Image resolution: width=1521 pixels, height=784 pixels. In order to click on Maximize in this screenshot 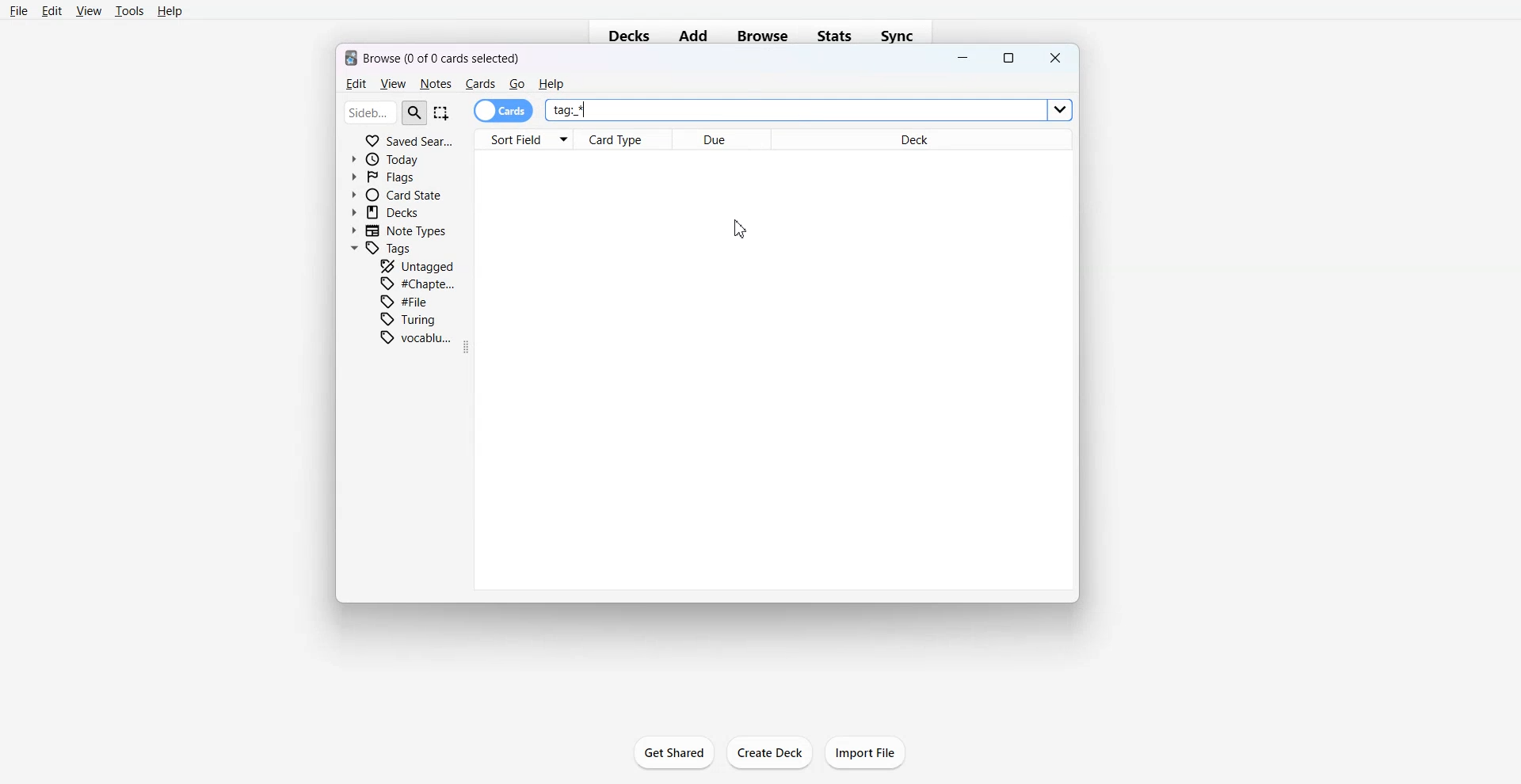, I will do `click(1008, 59)`.